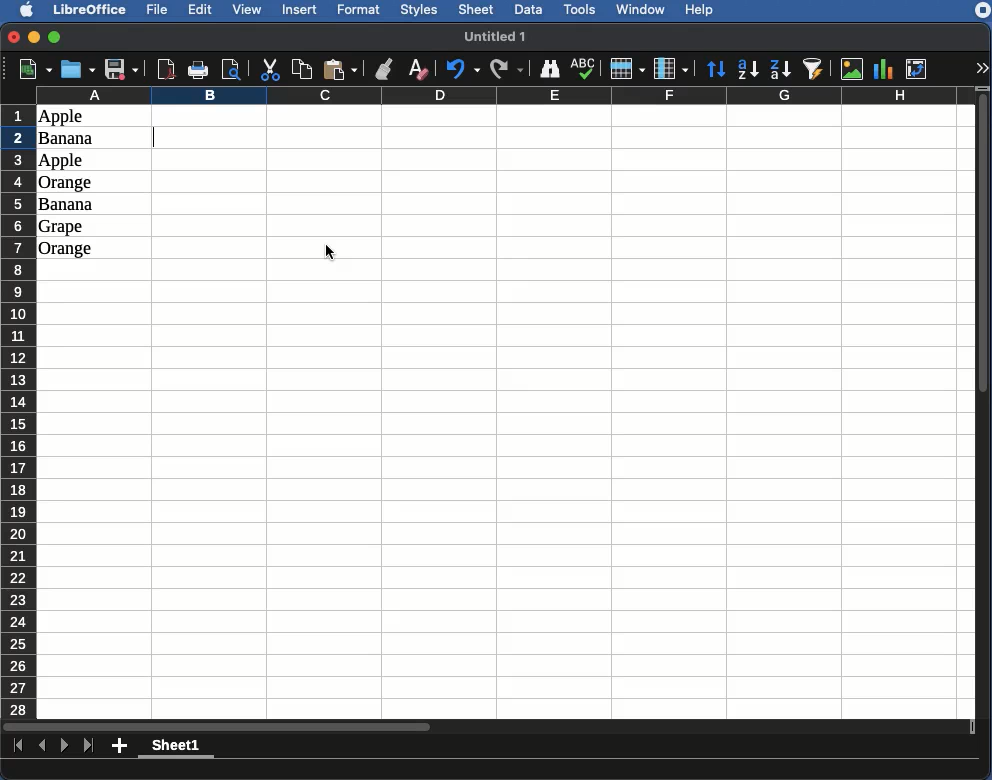 This screenshot has width=992, height=780. What do you see at coordinates (331, 253) in the screenshot?
I see `Cursor` at bounding box center [331, 253].